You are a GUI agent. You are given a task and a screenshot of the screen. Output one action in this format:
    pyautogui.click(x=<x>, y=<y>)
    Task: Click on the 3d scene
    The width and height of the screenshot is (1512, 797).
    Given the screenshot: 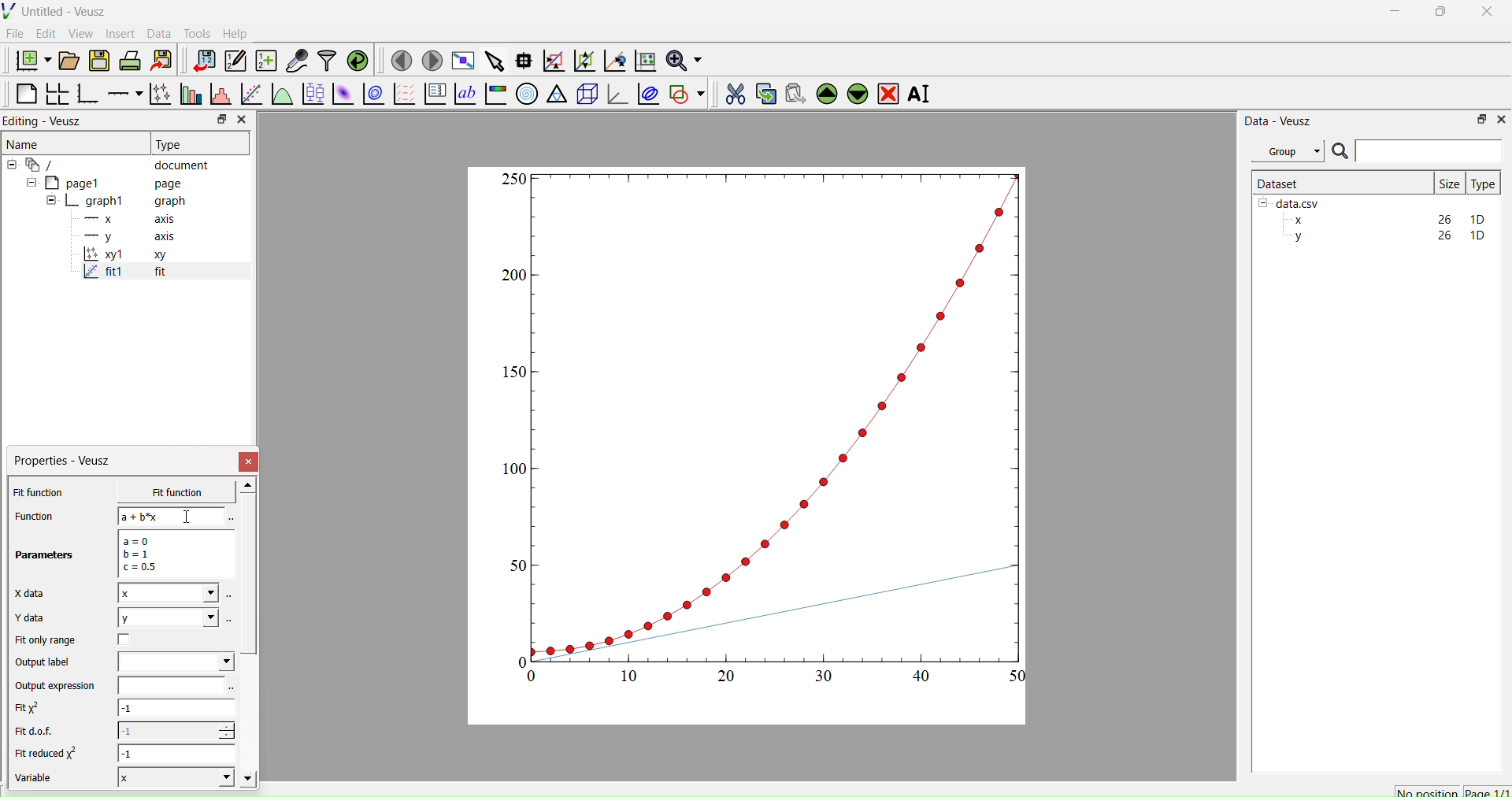 What is the action you would take?
    pyautogui.click(x=585, y=91)
    